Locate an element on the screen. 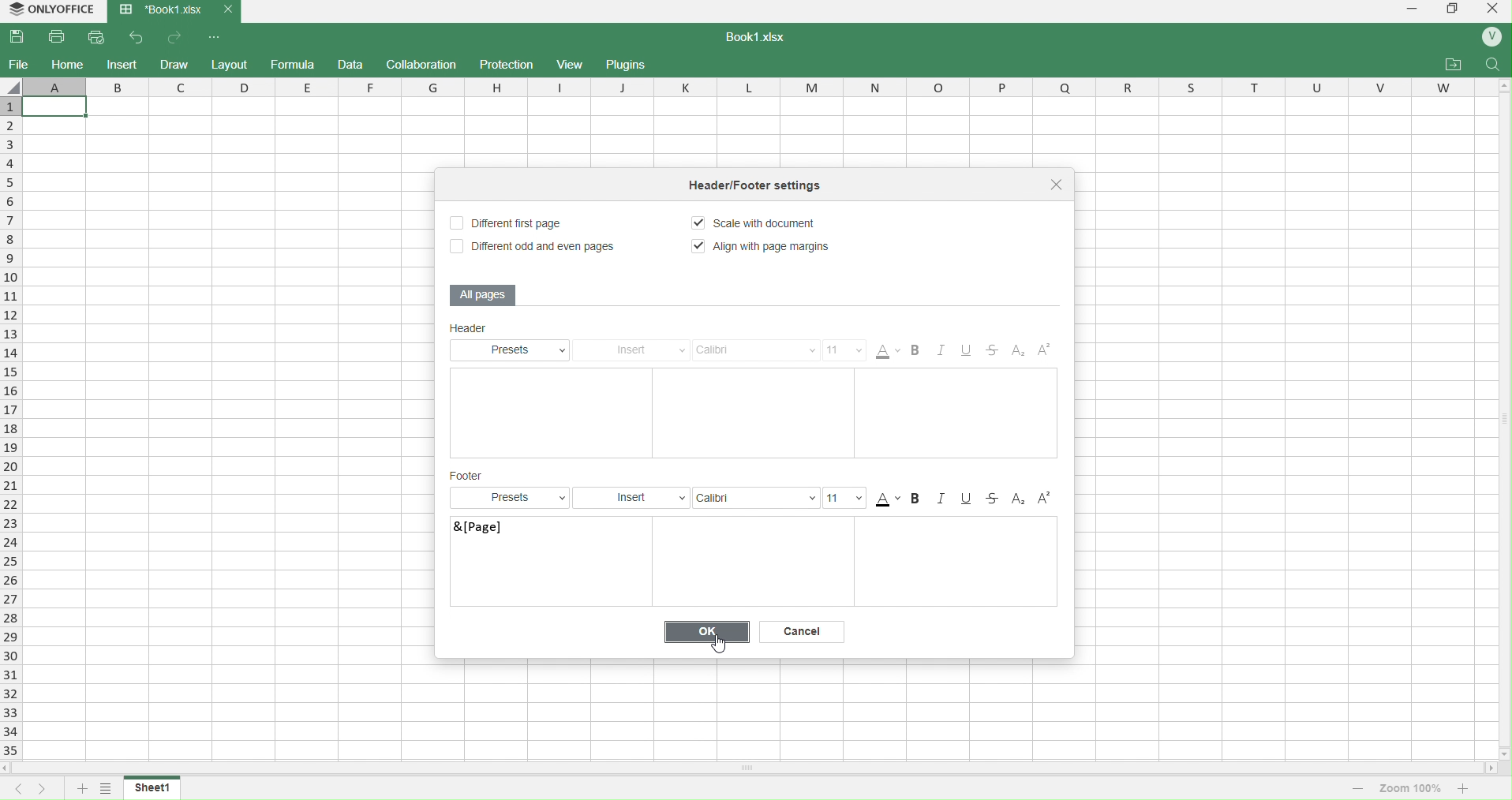 This screenshot has height=800, width=1512. move up is located at coordinates (1503, 88).